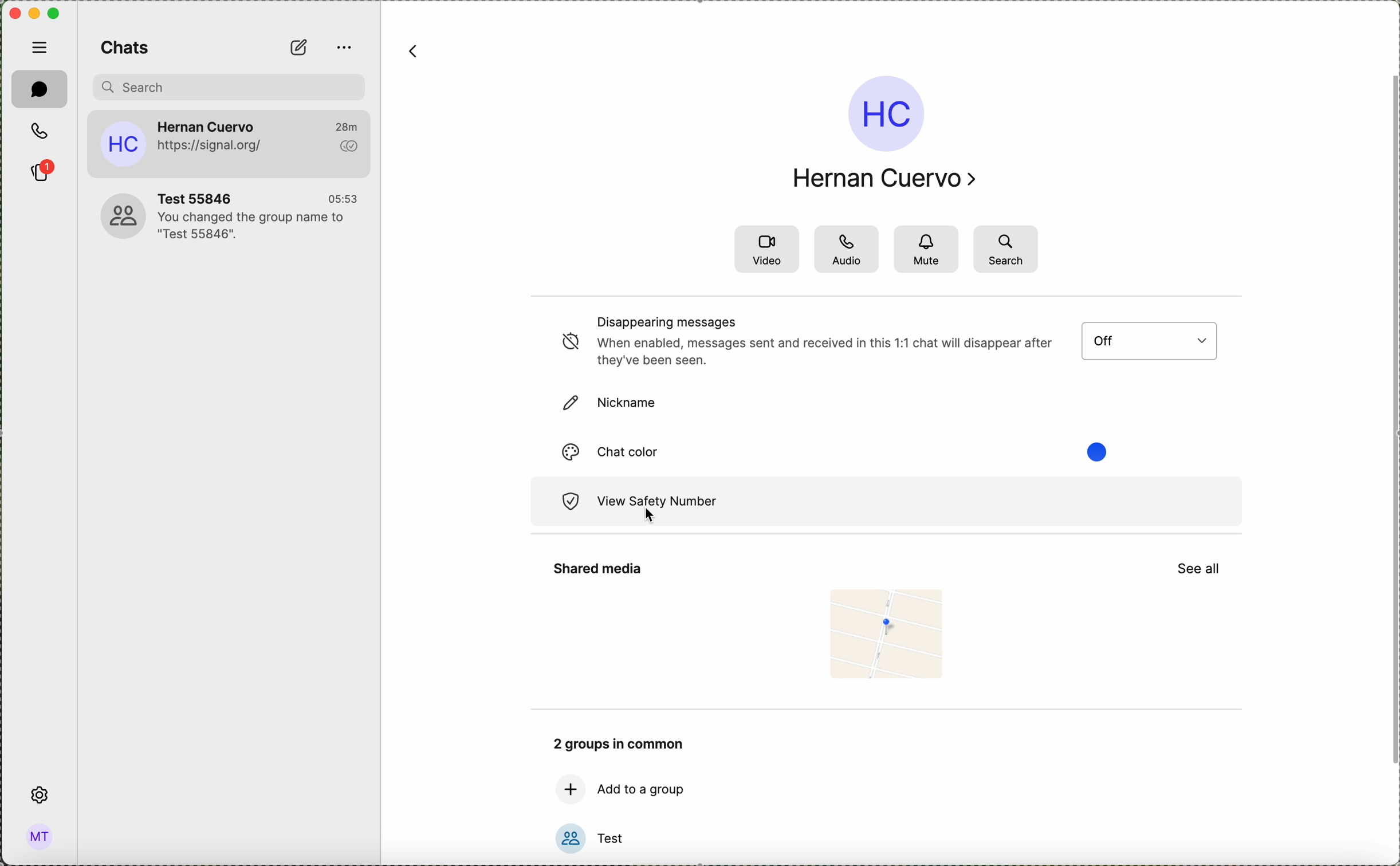 This screenshot has height=866, width=1400. What do you see at coordinates (351, 124) in the screenshot?
I see `28m` at bounding box center [351, 124].